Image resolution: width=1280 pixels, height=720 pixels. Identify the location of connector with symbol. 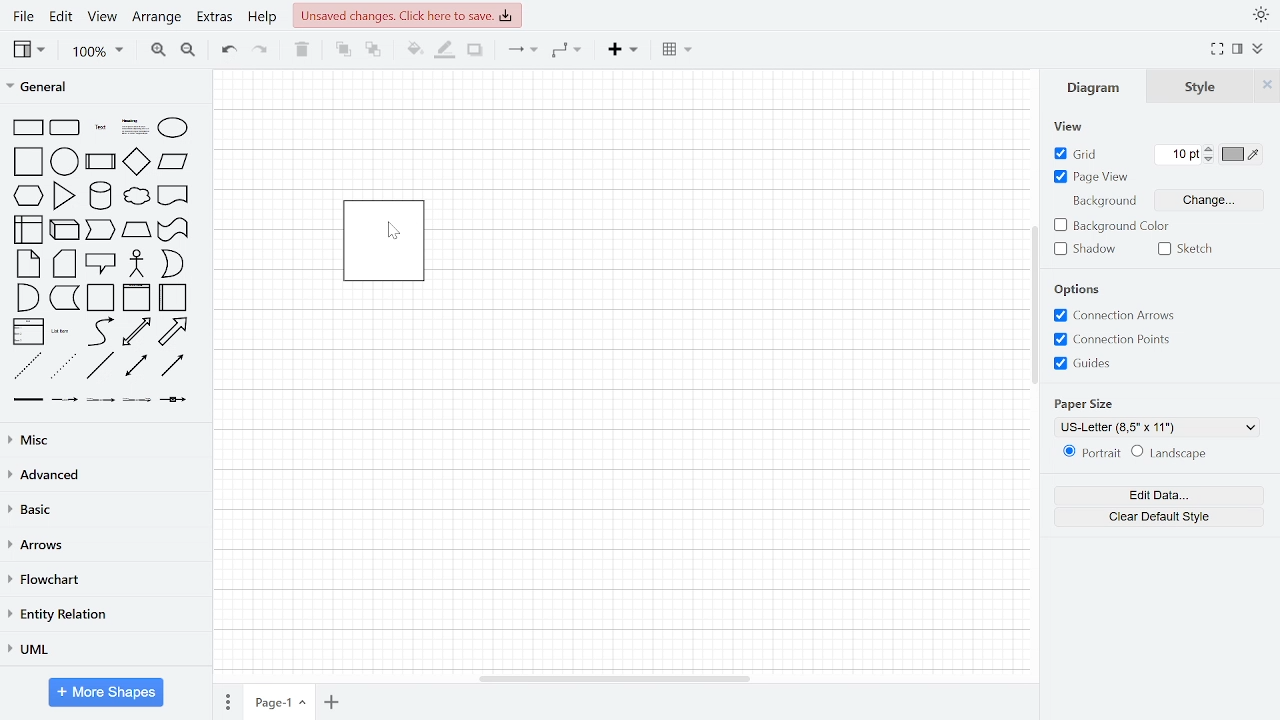
(171, 402).